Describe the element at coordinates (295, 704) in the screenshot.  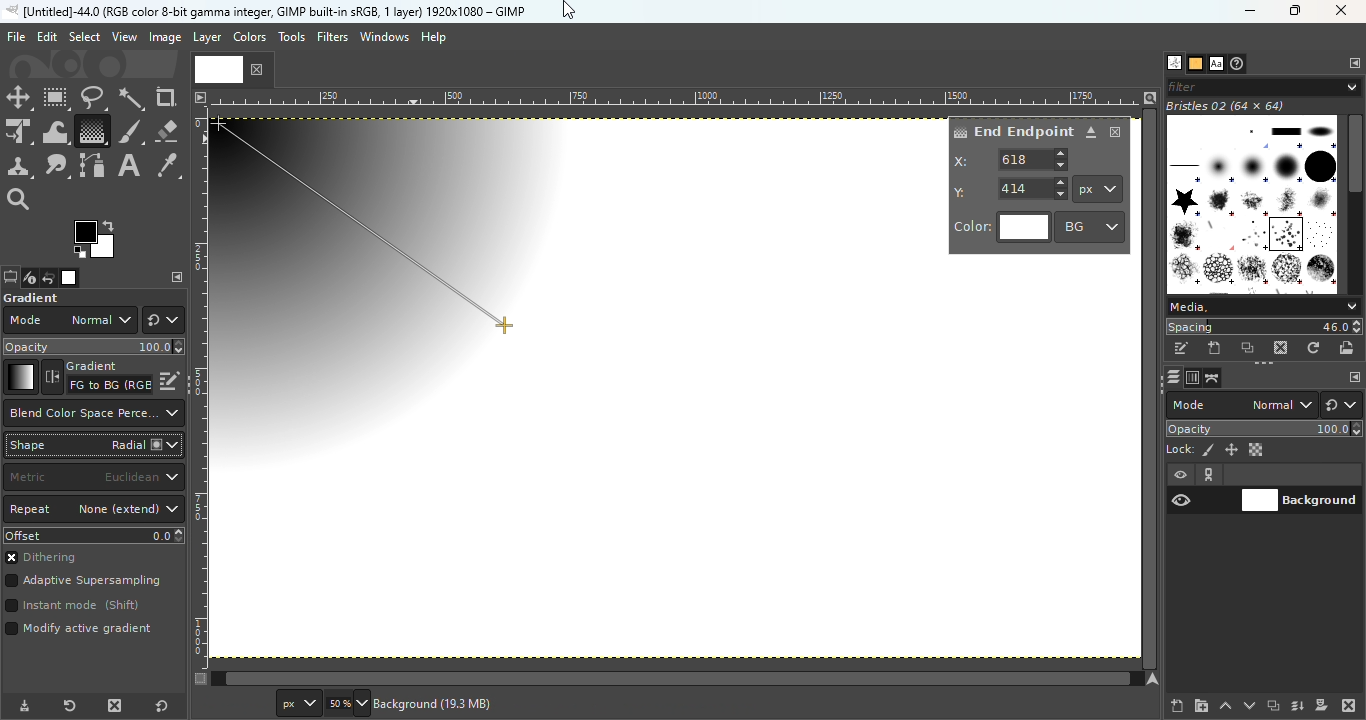
I see `Ruler measurement` at that location.